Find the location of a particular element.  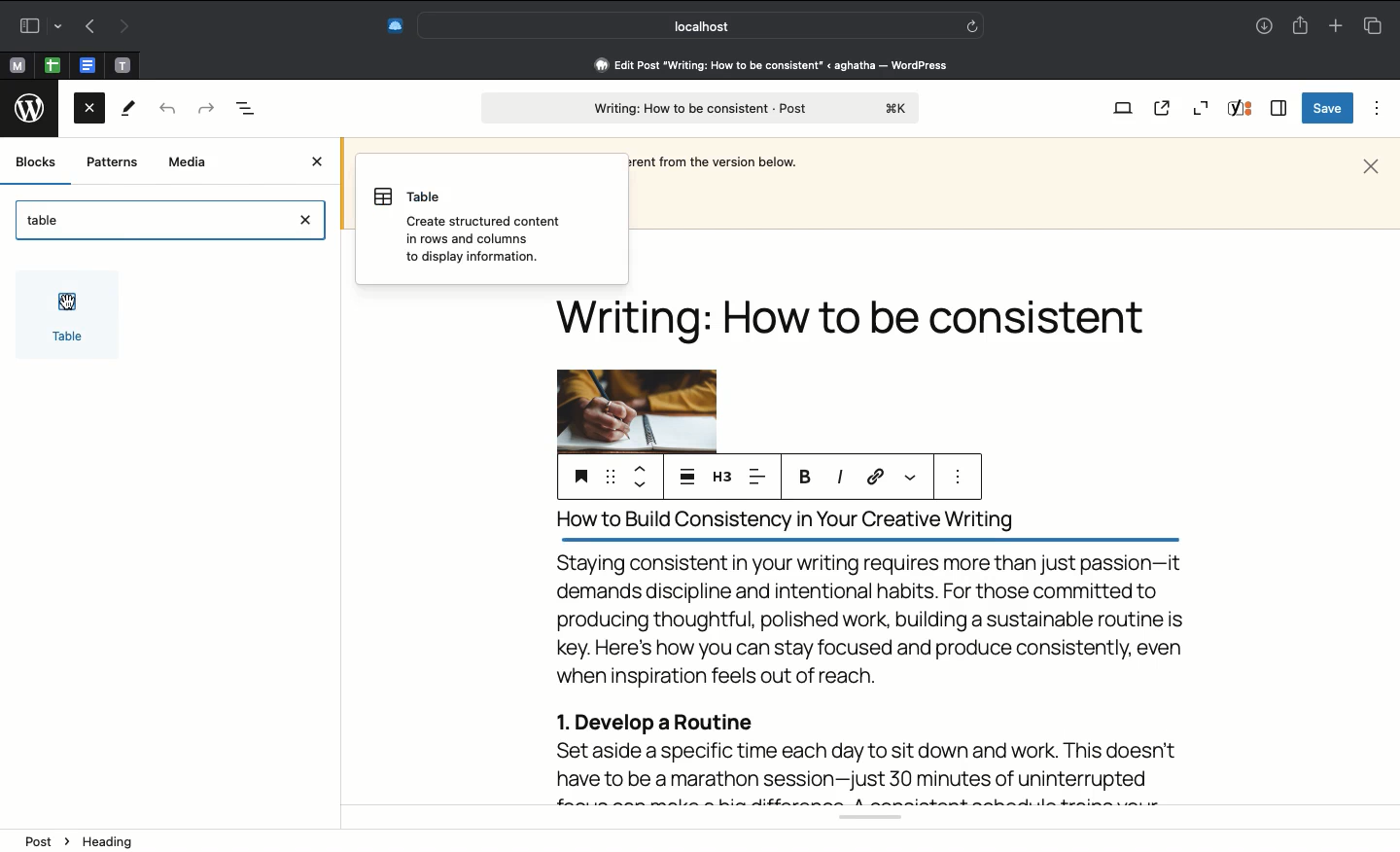

Bold is located at coordinates (806, 476).